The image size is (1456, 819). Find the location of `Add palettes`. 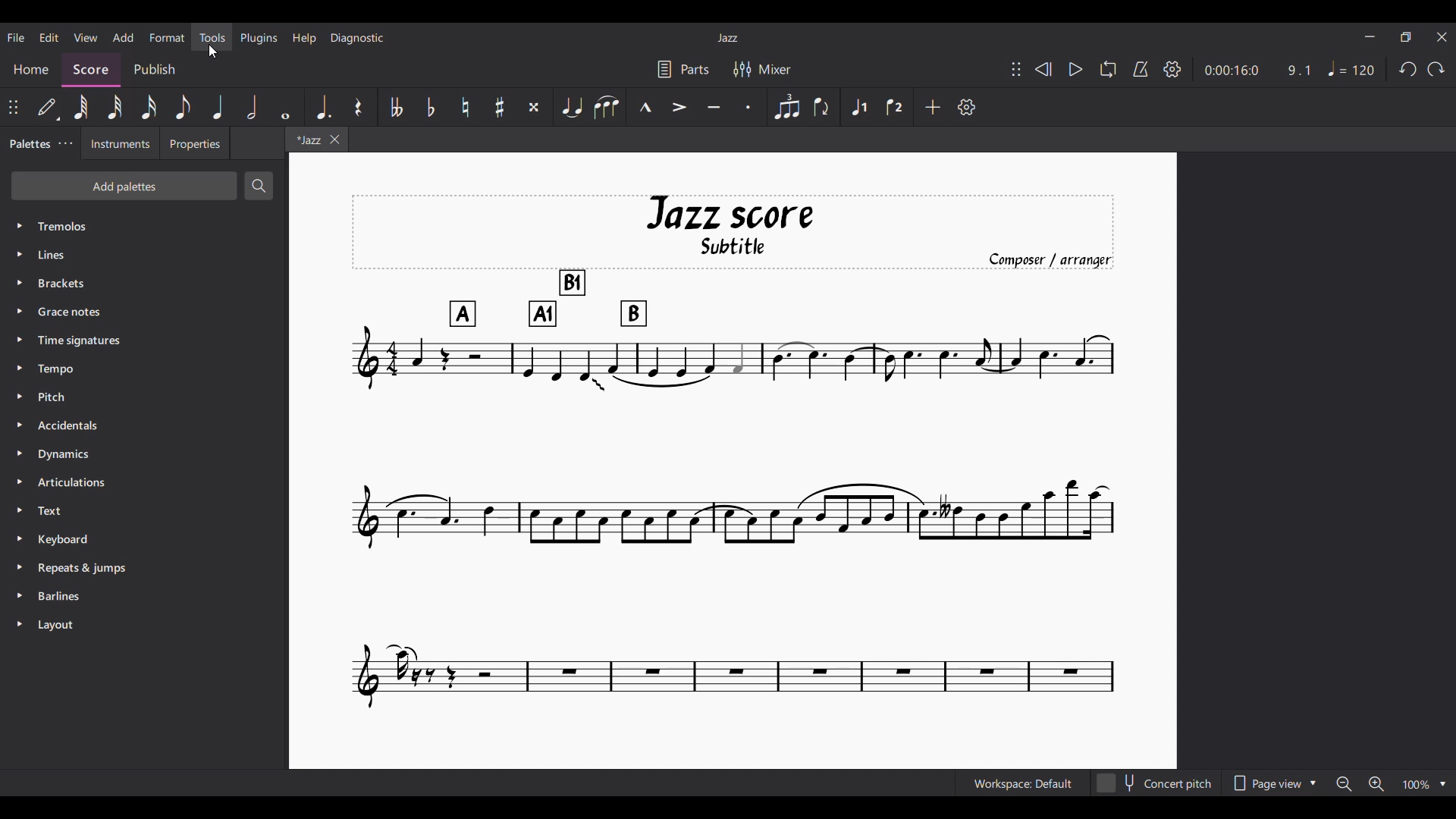

Add palettes is located at coordinates (124, 186).